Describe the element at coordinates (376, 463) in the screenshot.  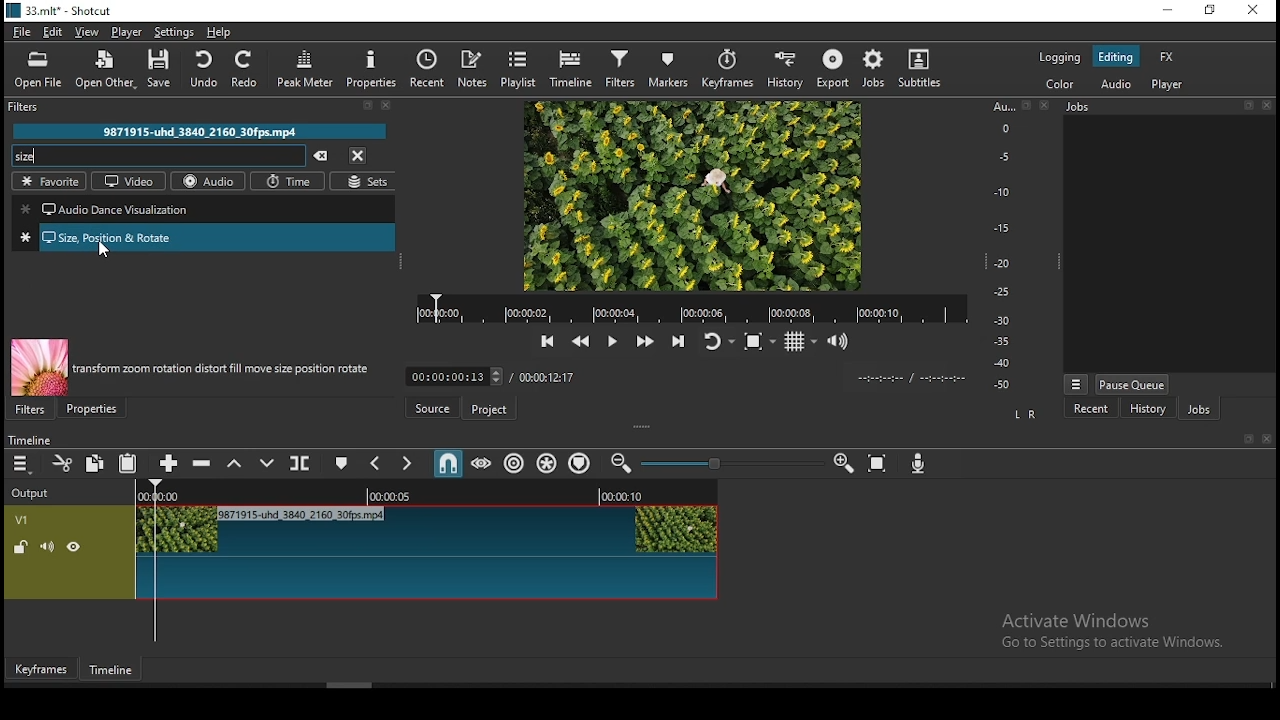
I see `previous marker` at that location.